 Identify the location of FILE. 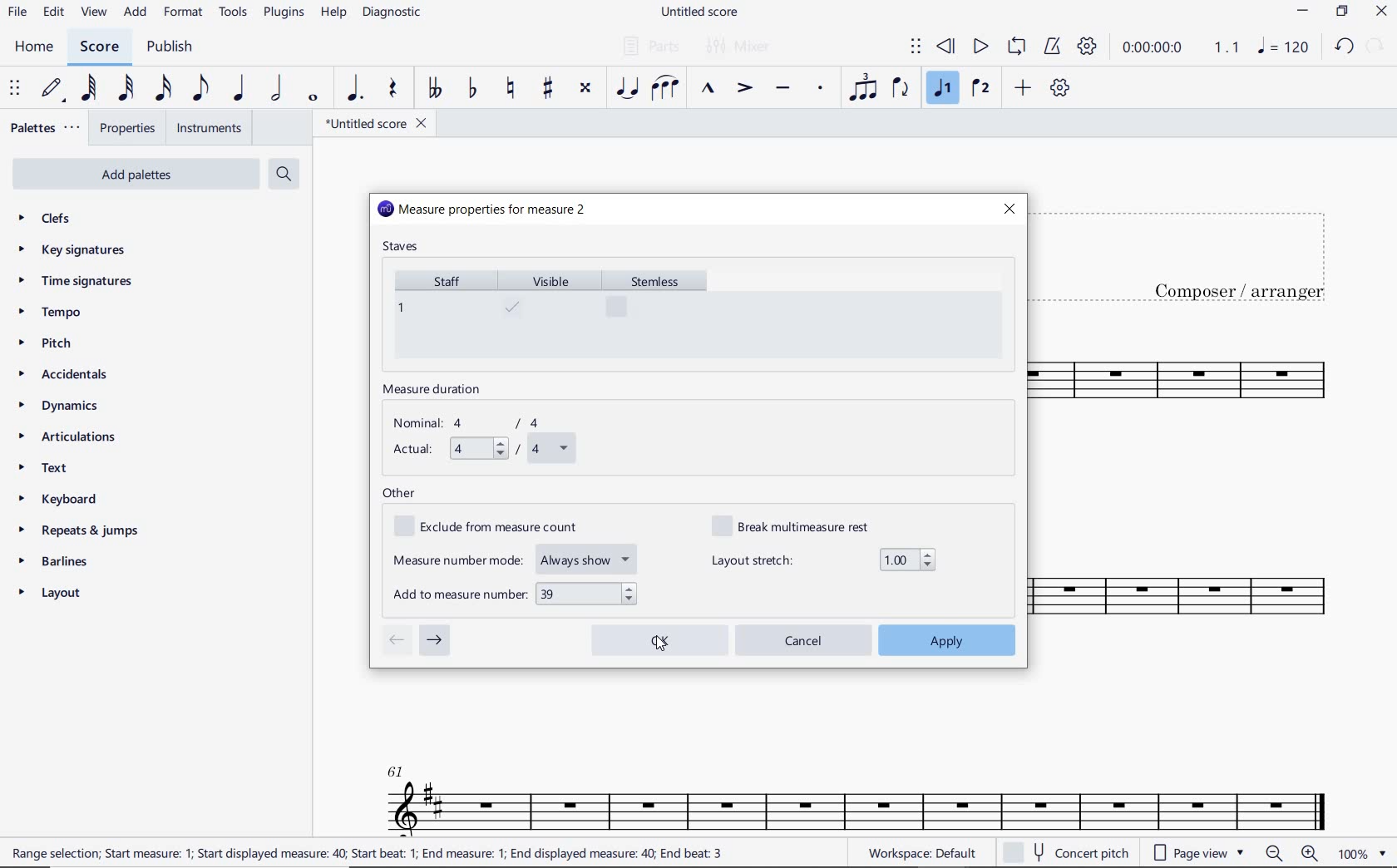
(17, 13).